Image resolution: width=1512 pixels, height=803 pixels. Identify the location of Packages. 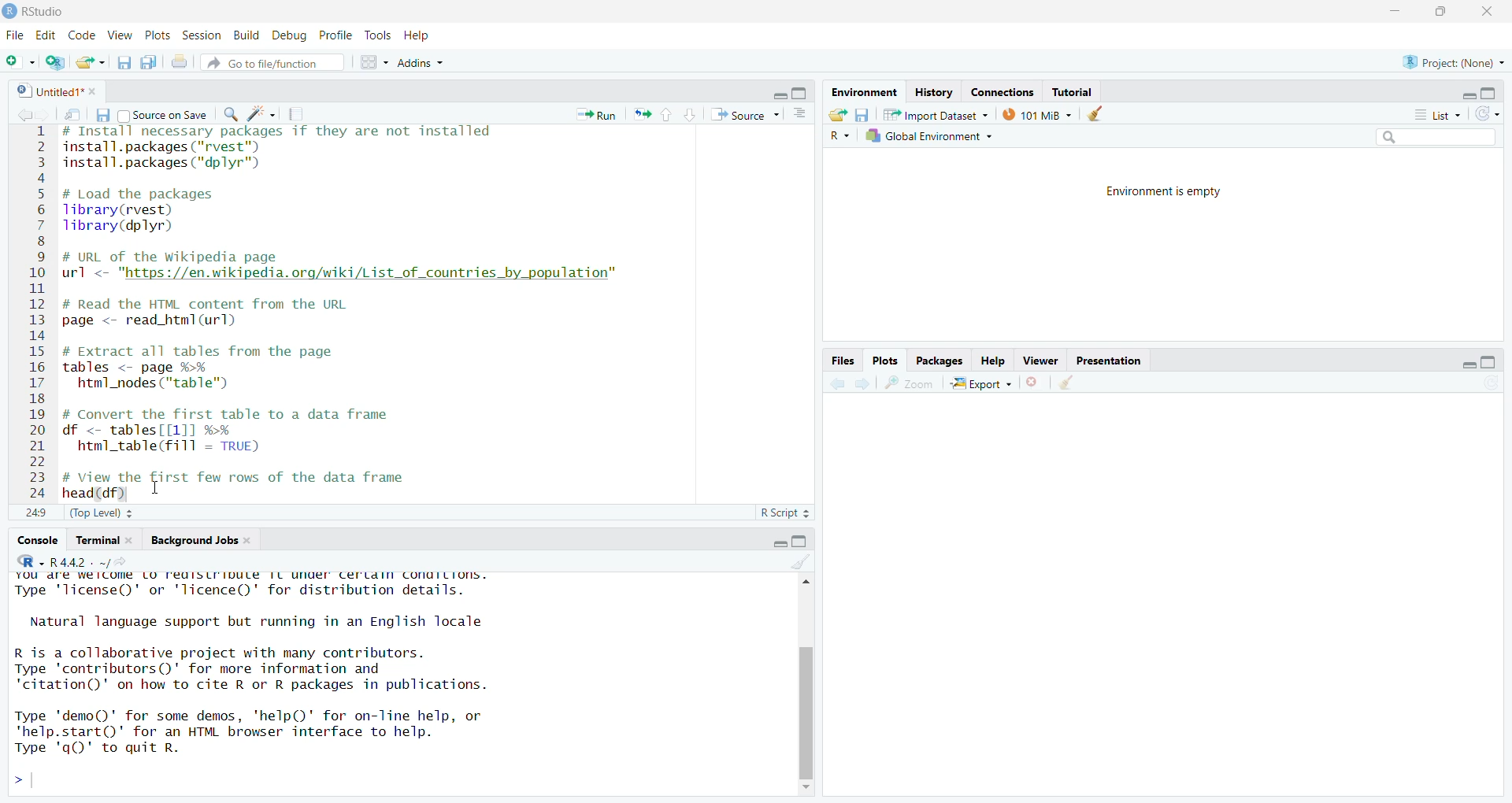
(939, 361).